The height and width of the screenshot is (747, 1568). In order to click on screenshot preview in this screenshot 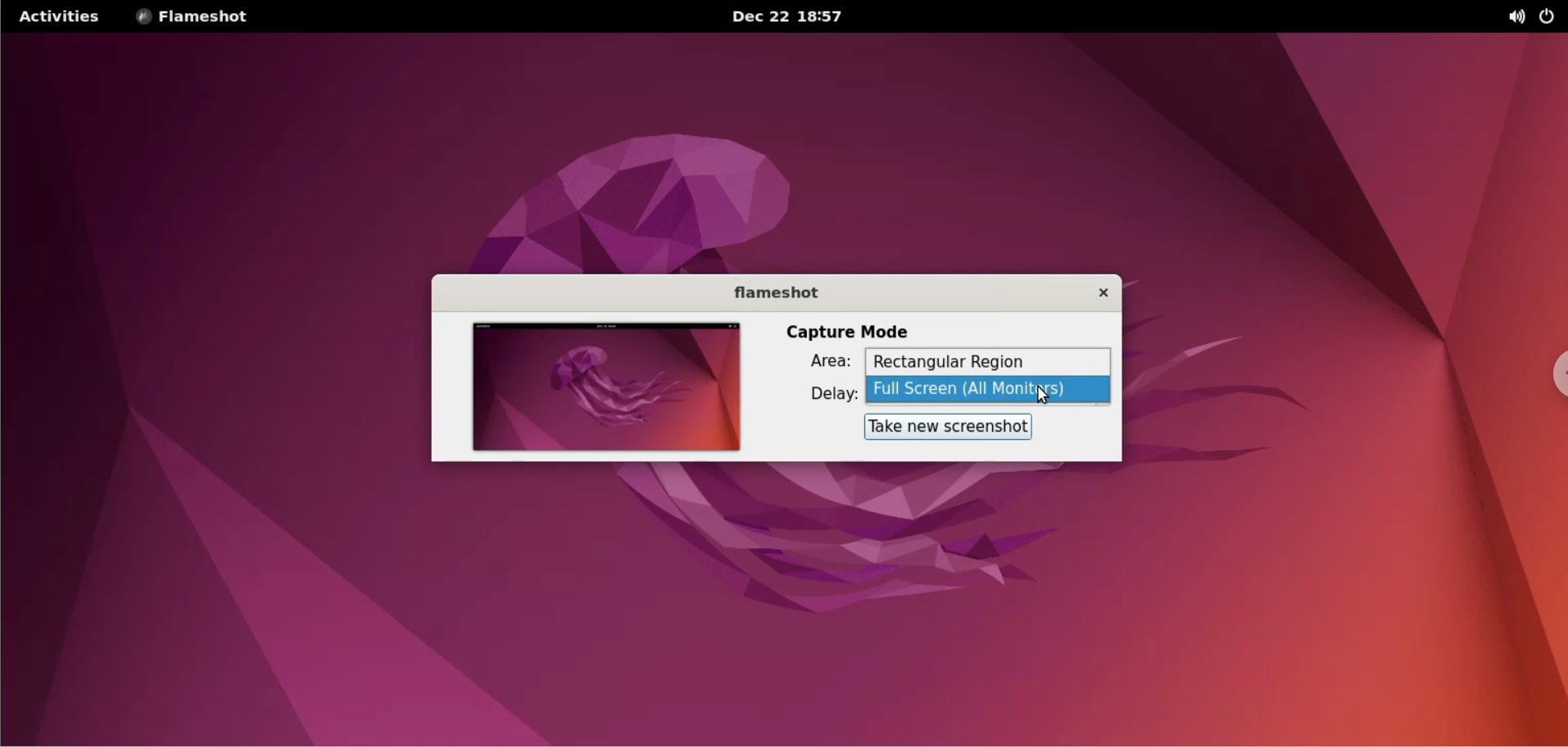, I will do `click(602, 388)`.